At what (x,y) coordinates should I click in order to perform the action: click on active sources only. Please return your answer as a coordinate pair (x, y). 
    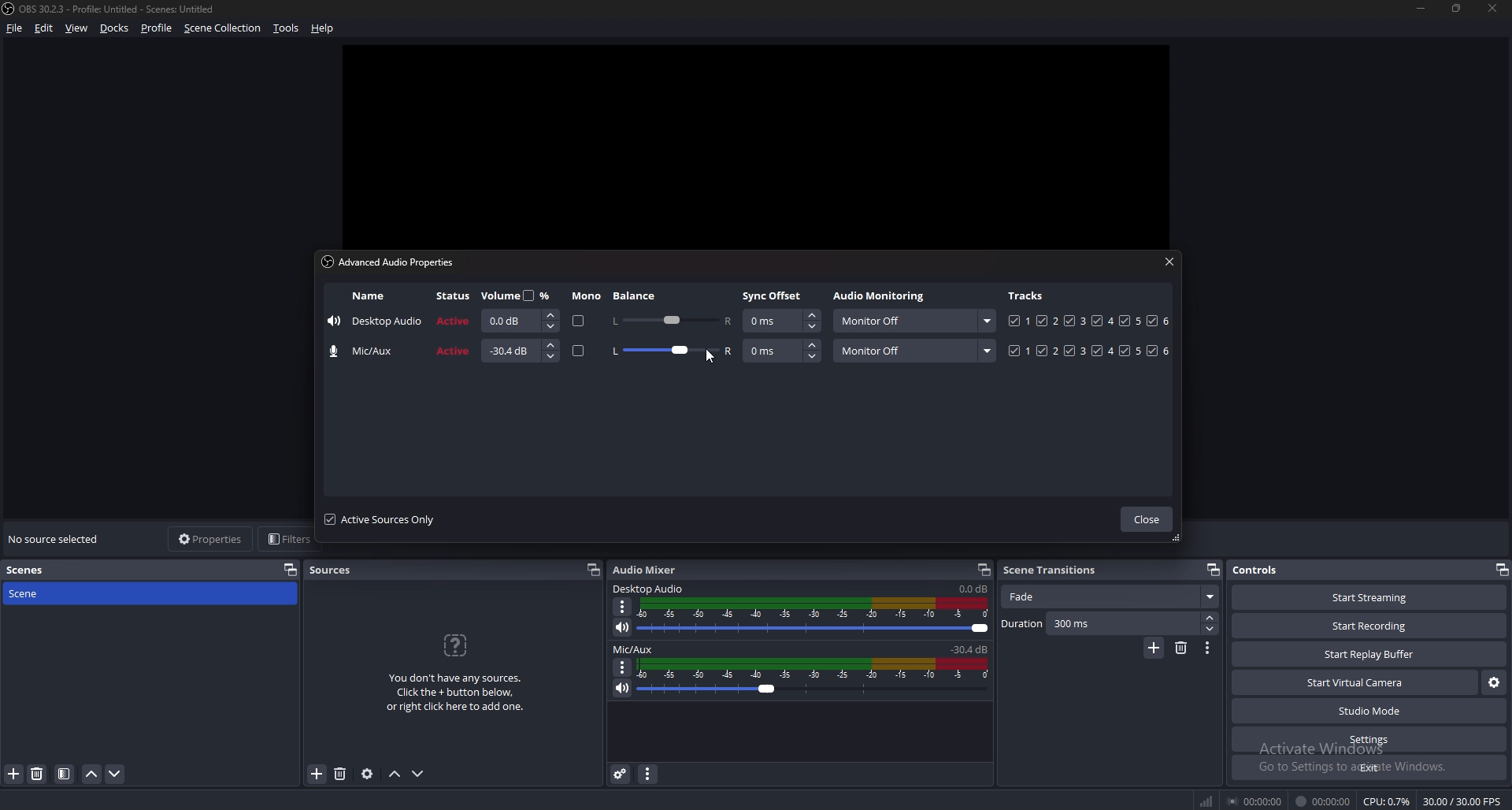
    Looking at the image, I should click on (381, 520).